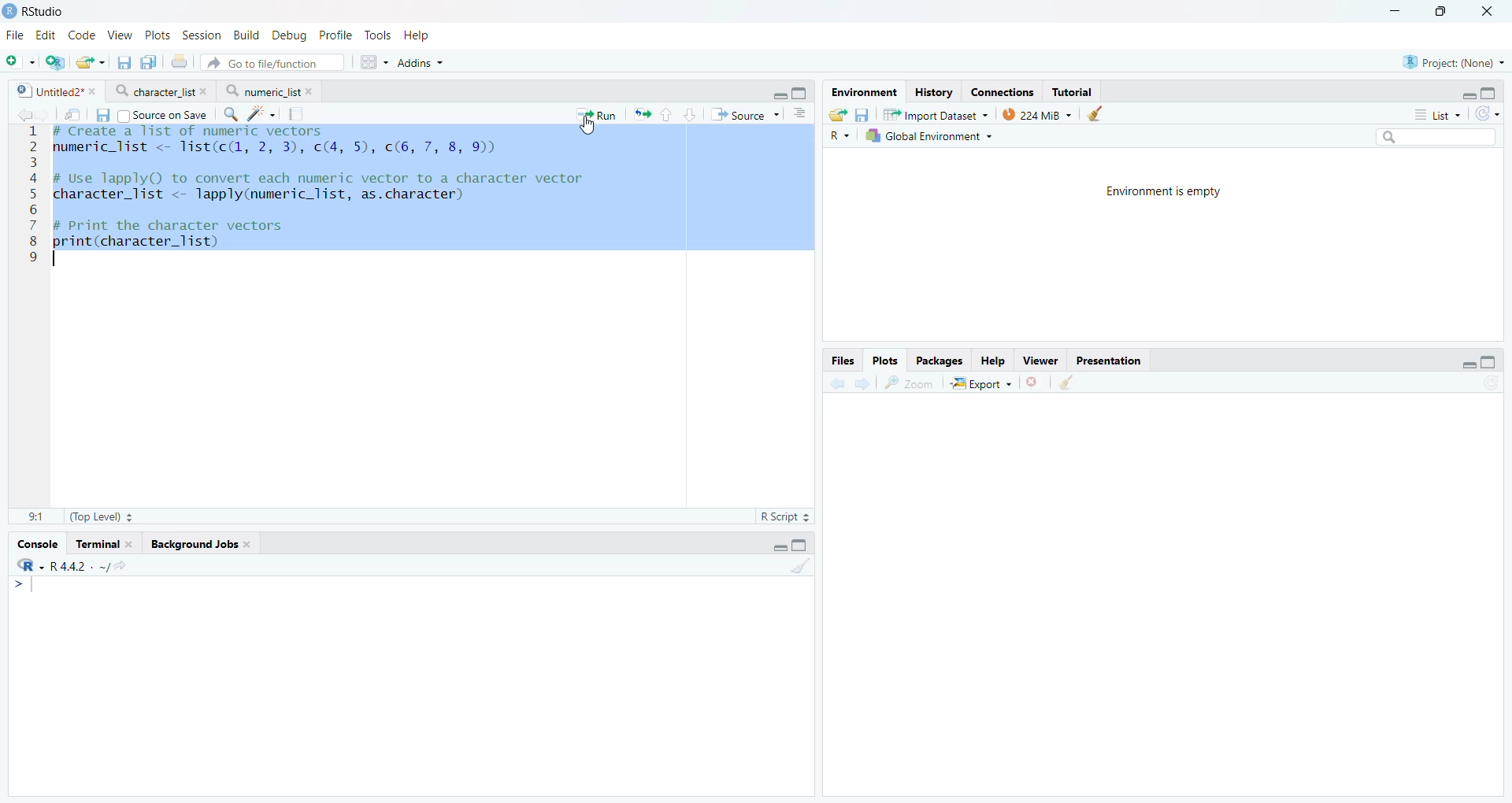 The image size is (1512, 803). I want to click on Environment, so click(863, 91).